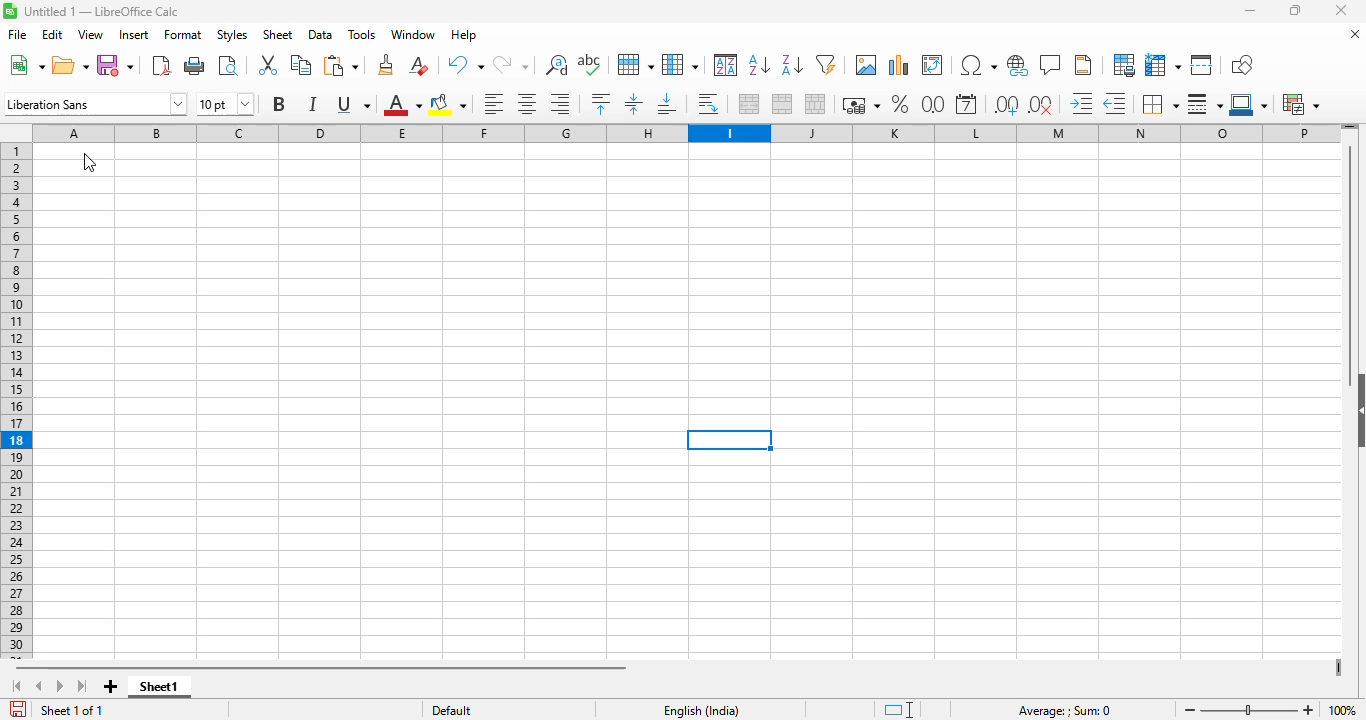 The width and height of the screenshot is (1366, 720). Describe the element at coordinates (39, 686) in the screenshot. I see `scroll to previous sheet` at that location.